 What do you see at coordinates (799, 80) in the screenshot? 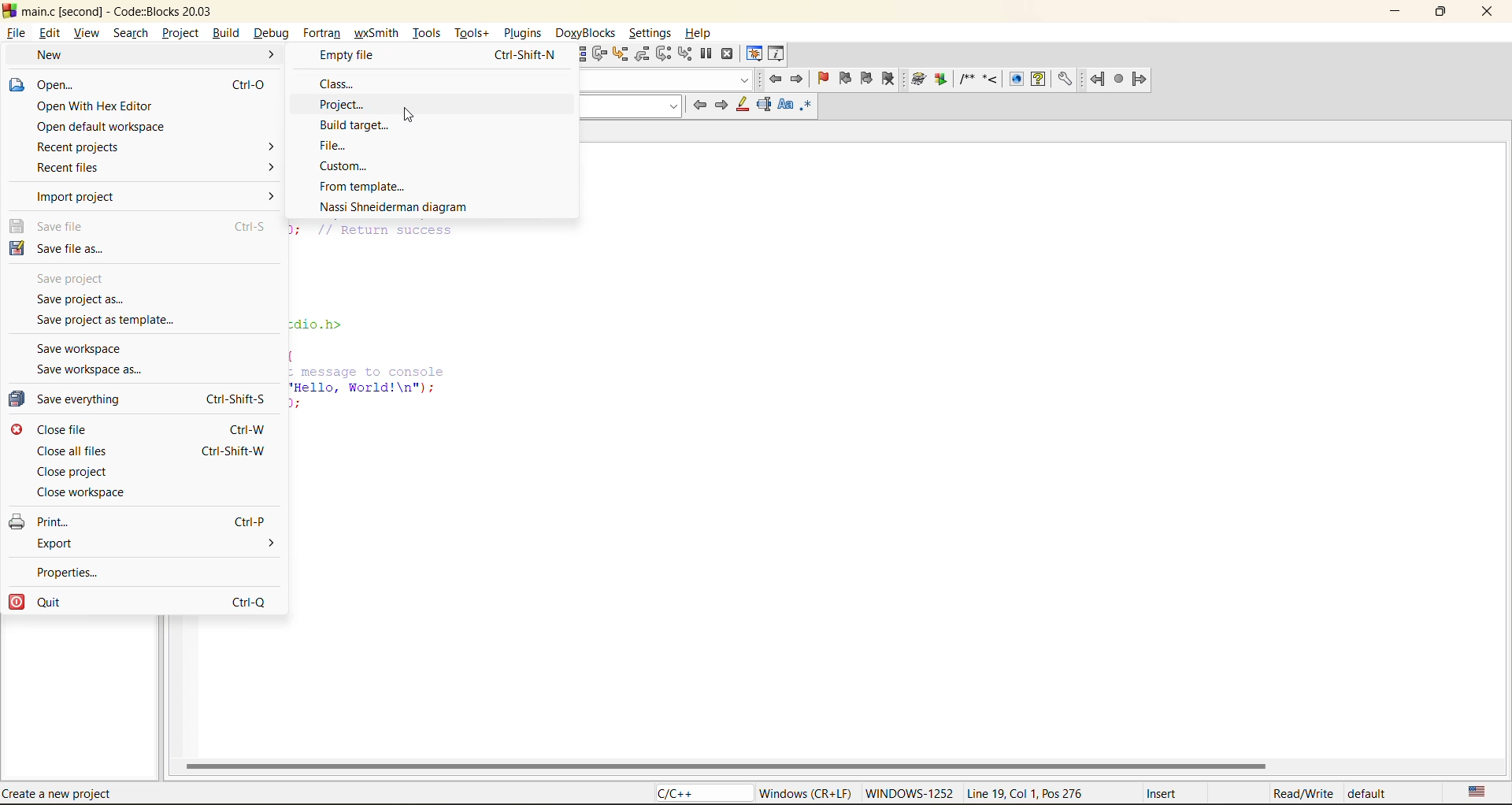
I see `jump forward` at bounding box center [799, 80].